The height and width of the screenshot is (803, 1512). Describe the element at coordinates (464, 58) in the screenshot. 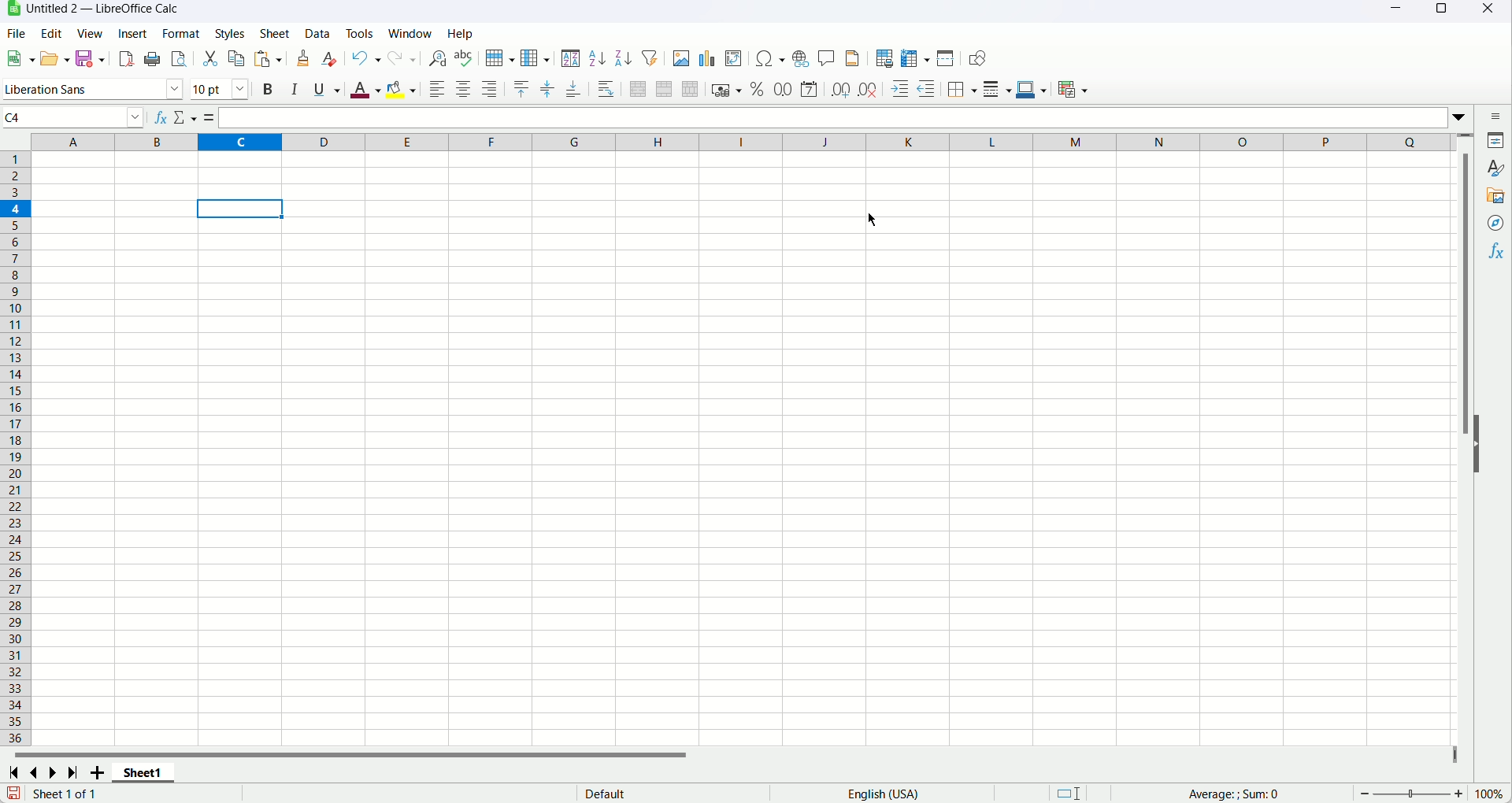

I see `Spelling` at that location.